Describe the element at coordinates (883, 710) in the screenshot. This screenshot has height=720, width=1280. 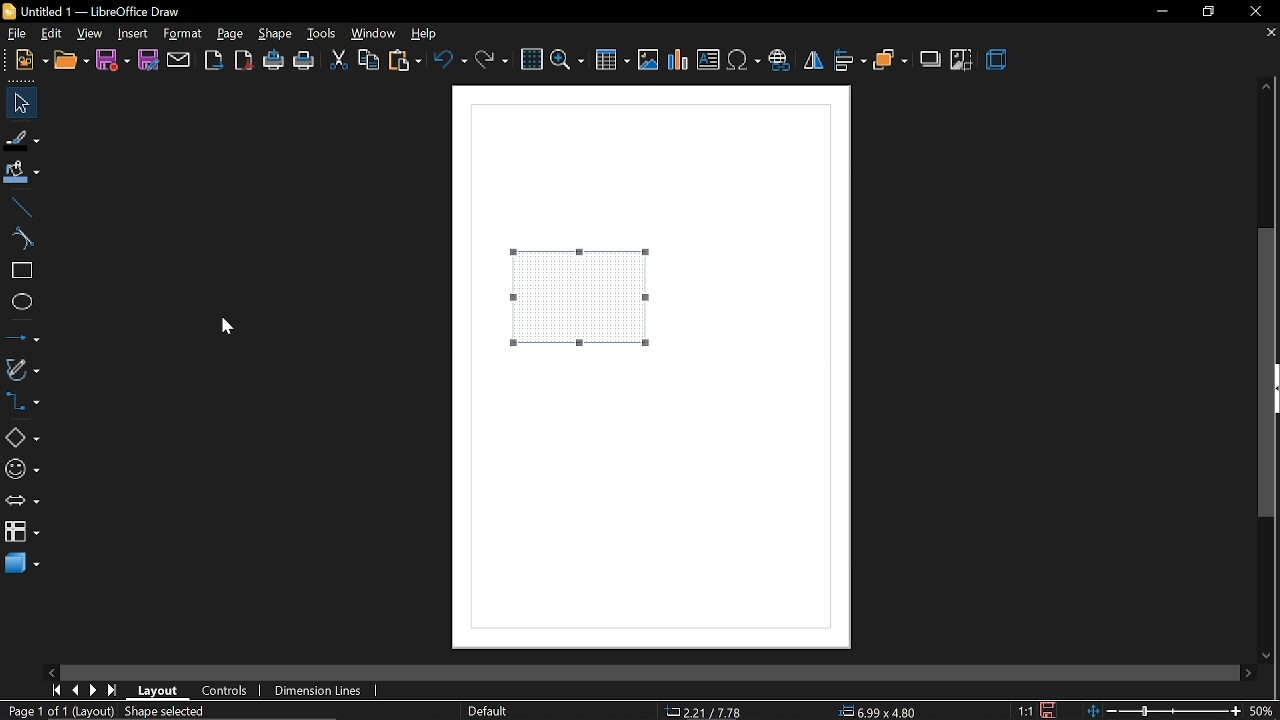
I see `position` at that location.